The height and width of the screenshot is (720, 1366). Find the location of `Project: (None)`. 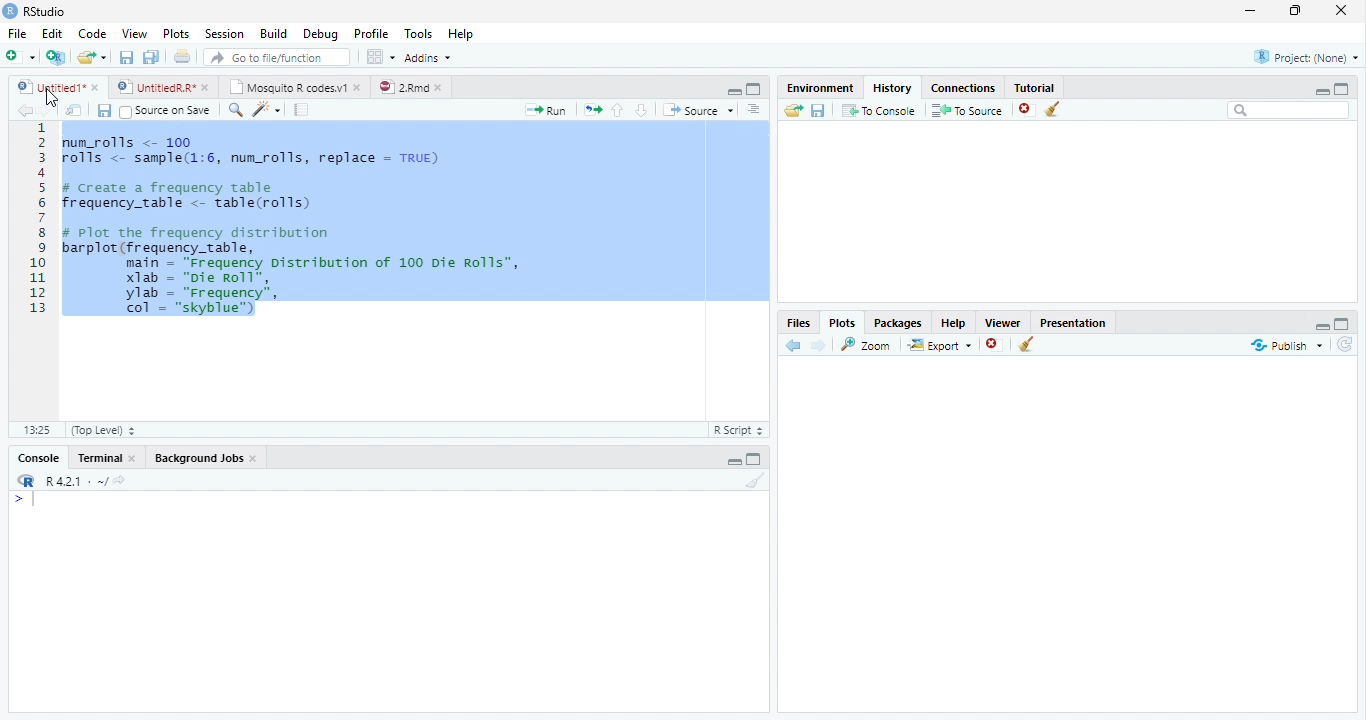

Project: (None) is located at coordinates (1305, 55).